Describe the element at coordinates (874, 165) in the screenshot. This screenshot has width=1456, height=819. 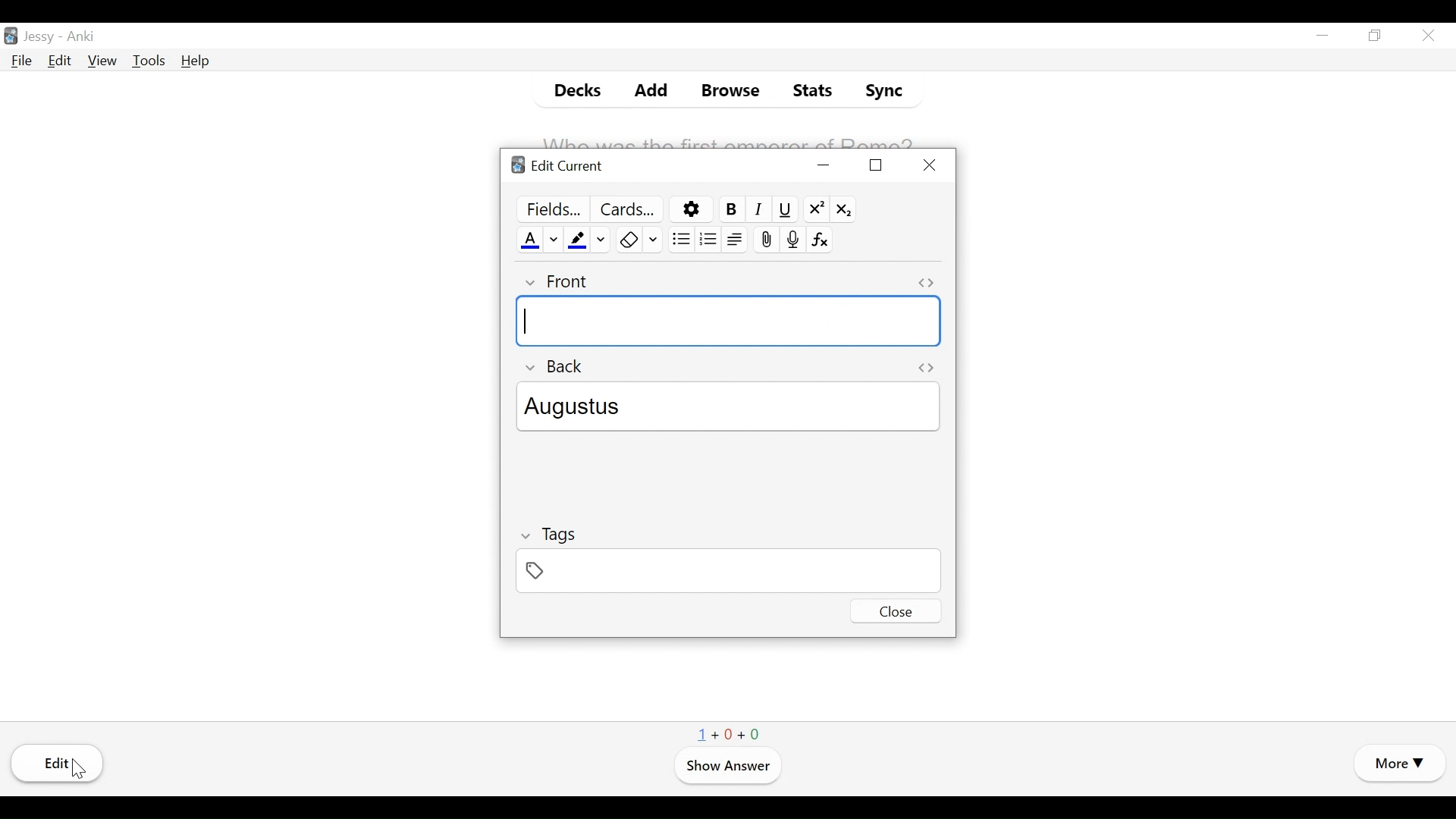
I see `Restore` at that location.